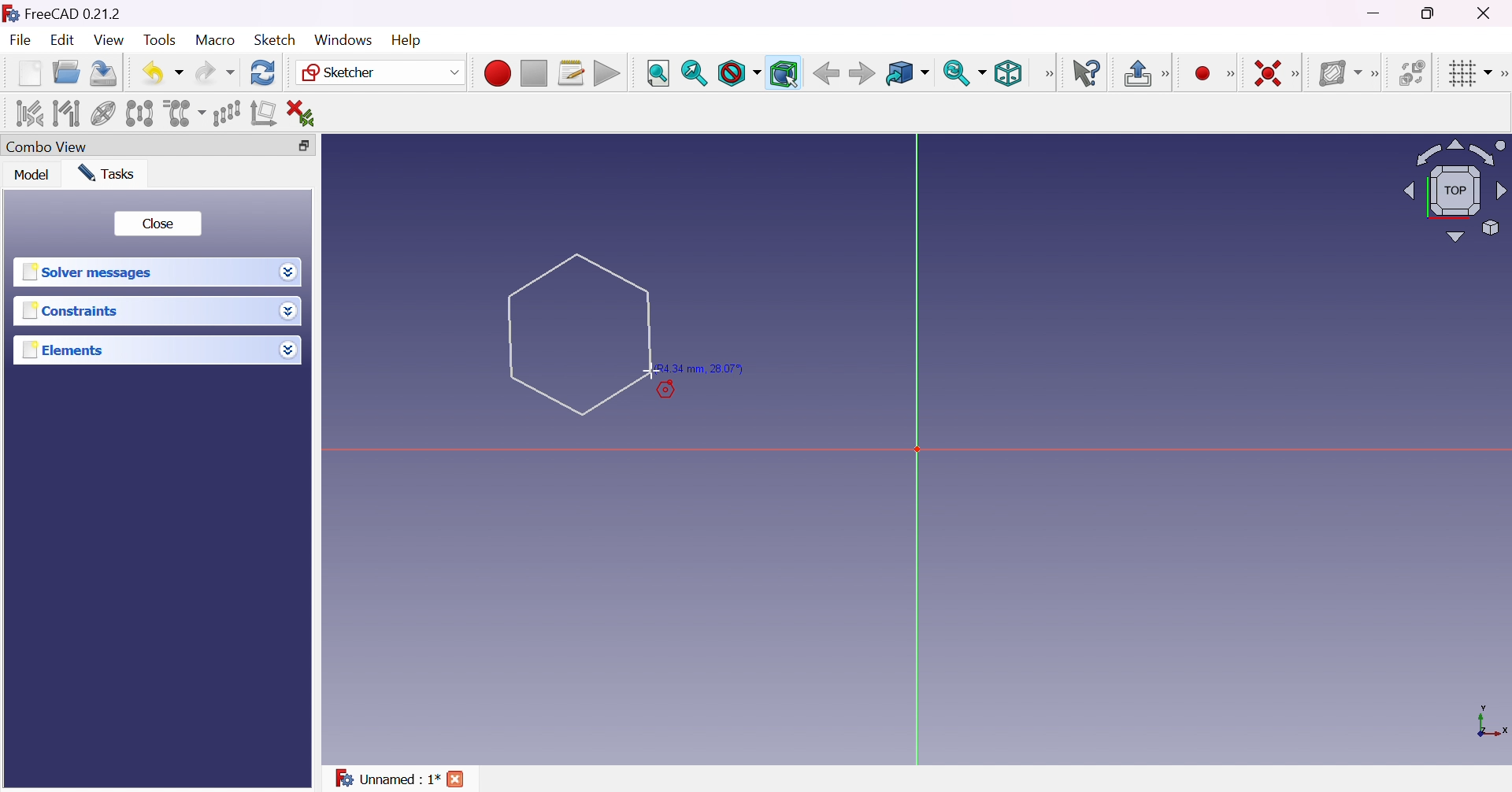  What do you see at coordinates (33, 174) in the screenshot?
I see `Model` at bounding box center [33, 174].